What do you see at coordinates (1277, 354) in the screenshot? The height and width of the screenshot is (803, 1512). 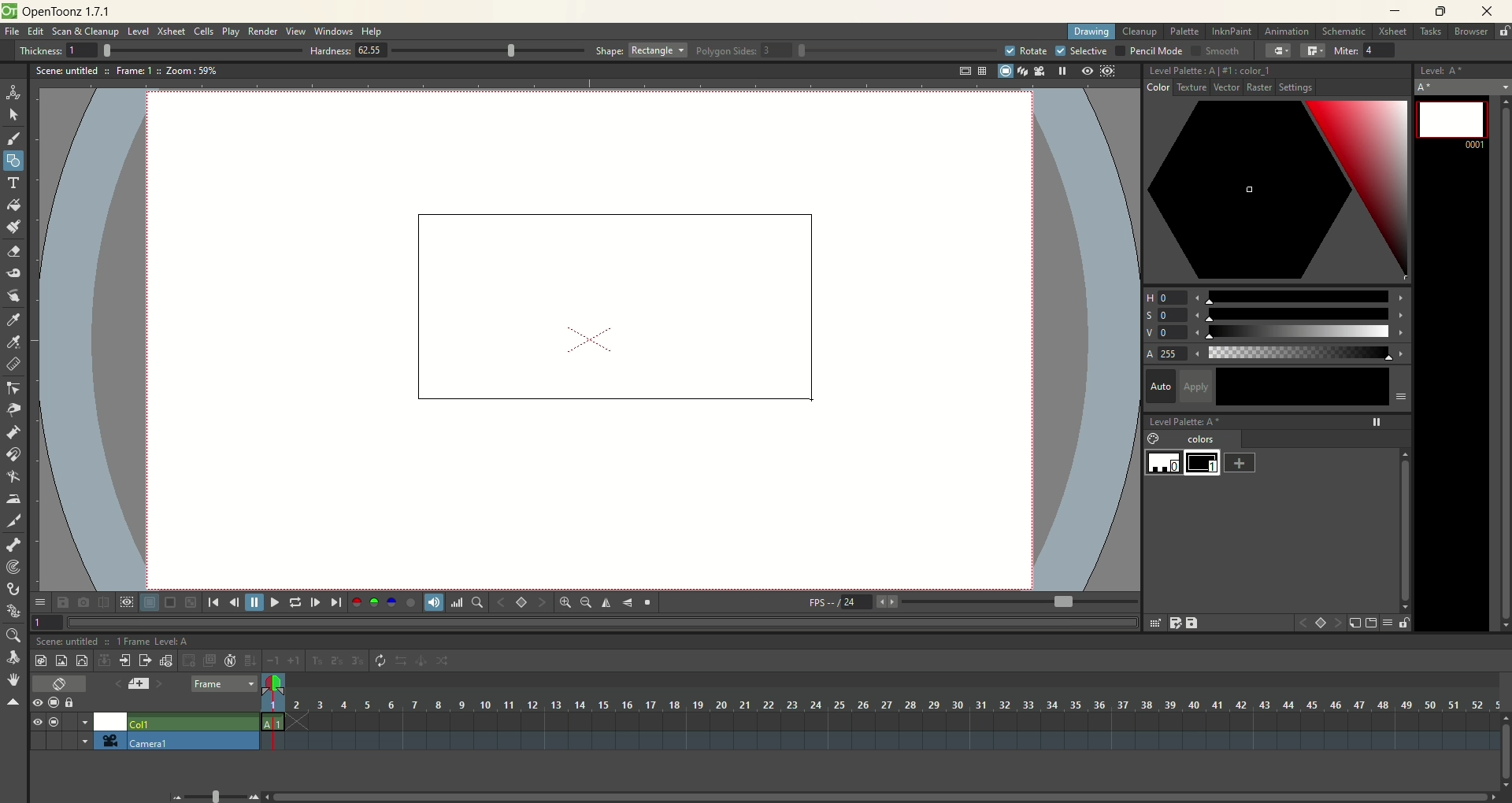 I see `alpha` at bounding box center [1277, 354].